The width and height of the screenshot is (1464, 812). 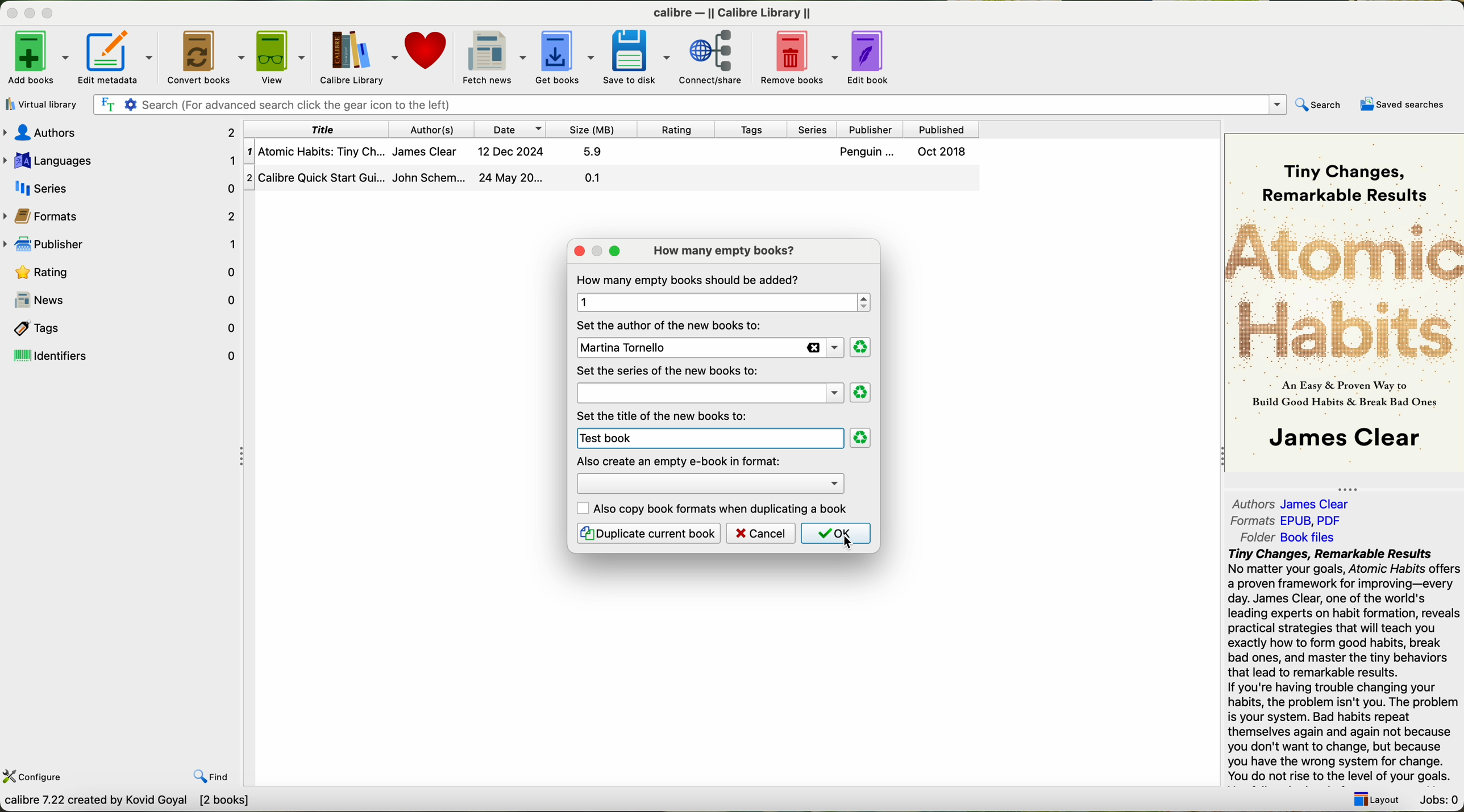 I want to click on close popup, so click(x=578, y=249).